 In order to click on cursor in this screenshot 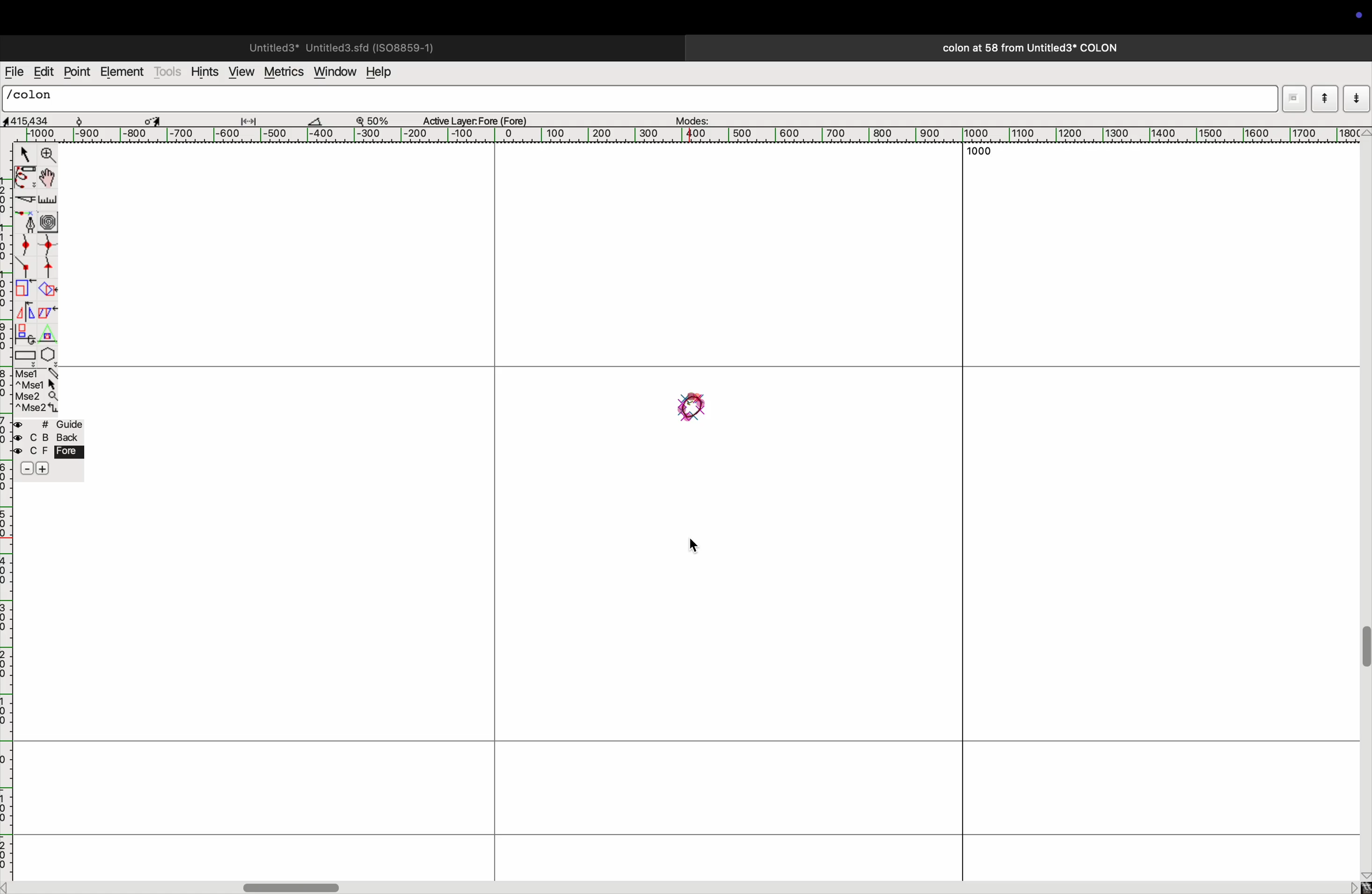, I will do `click(22, 153)`.